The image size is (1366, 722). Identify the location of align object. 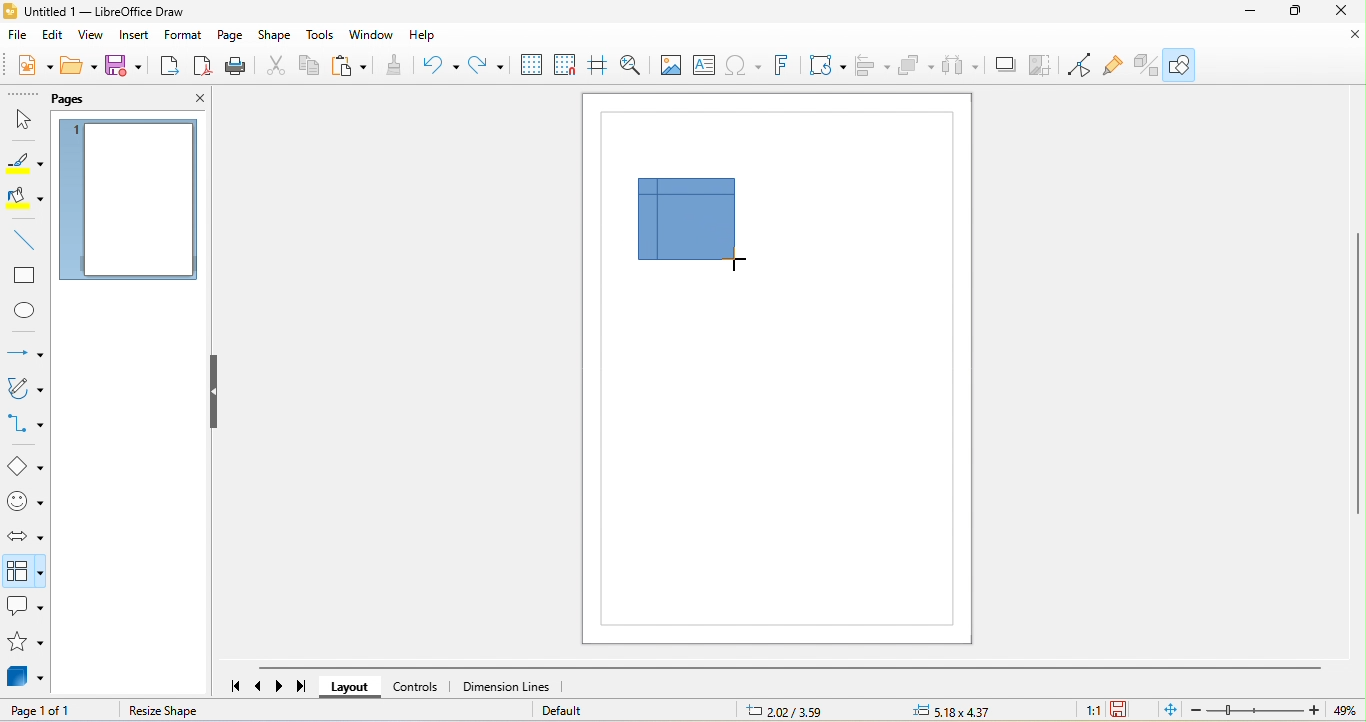
(870, 66).